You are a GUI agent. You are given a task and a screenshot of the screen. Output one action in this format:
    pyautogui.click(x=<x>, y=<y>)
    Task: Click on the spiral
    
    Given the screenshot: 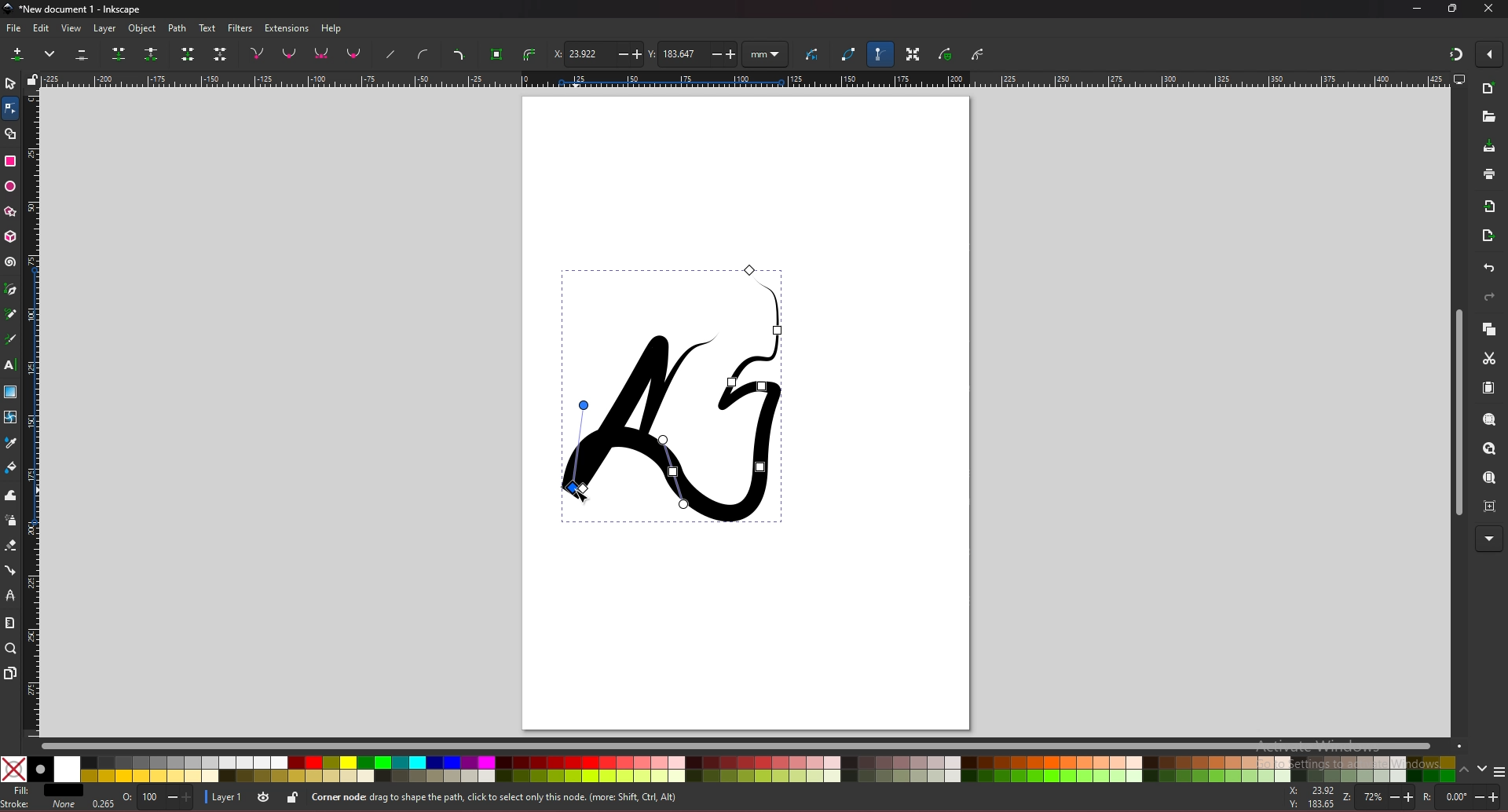 What is the action you would take?
    pyautogui.click(x=11, y=264)
    